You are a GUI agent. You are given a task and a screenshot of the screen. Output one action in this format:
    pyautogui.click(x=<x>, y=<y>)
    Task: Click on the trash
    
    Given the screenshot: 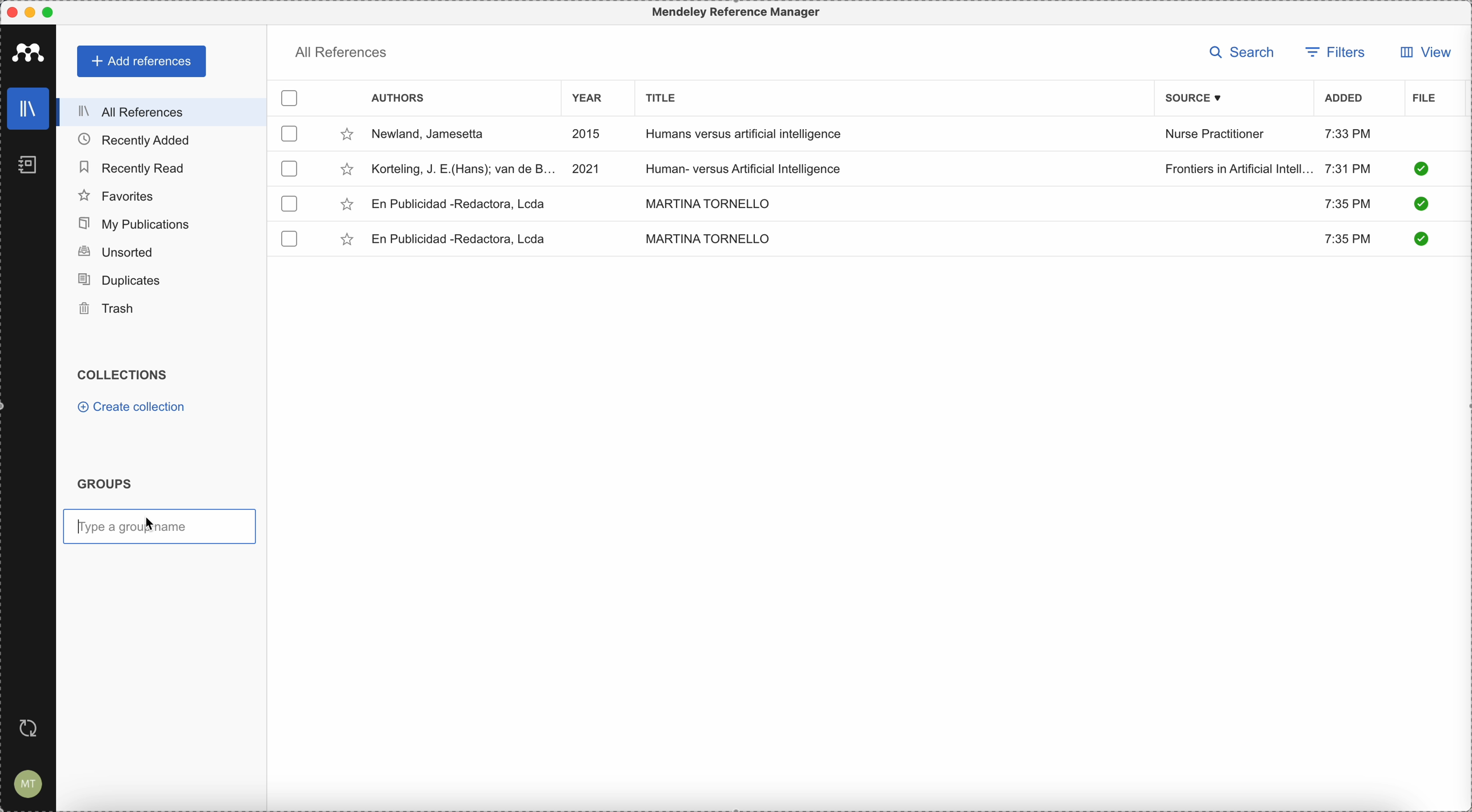 What is the action you would take?
    pyautogui.click(x=109, y=309)
    